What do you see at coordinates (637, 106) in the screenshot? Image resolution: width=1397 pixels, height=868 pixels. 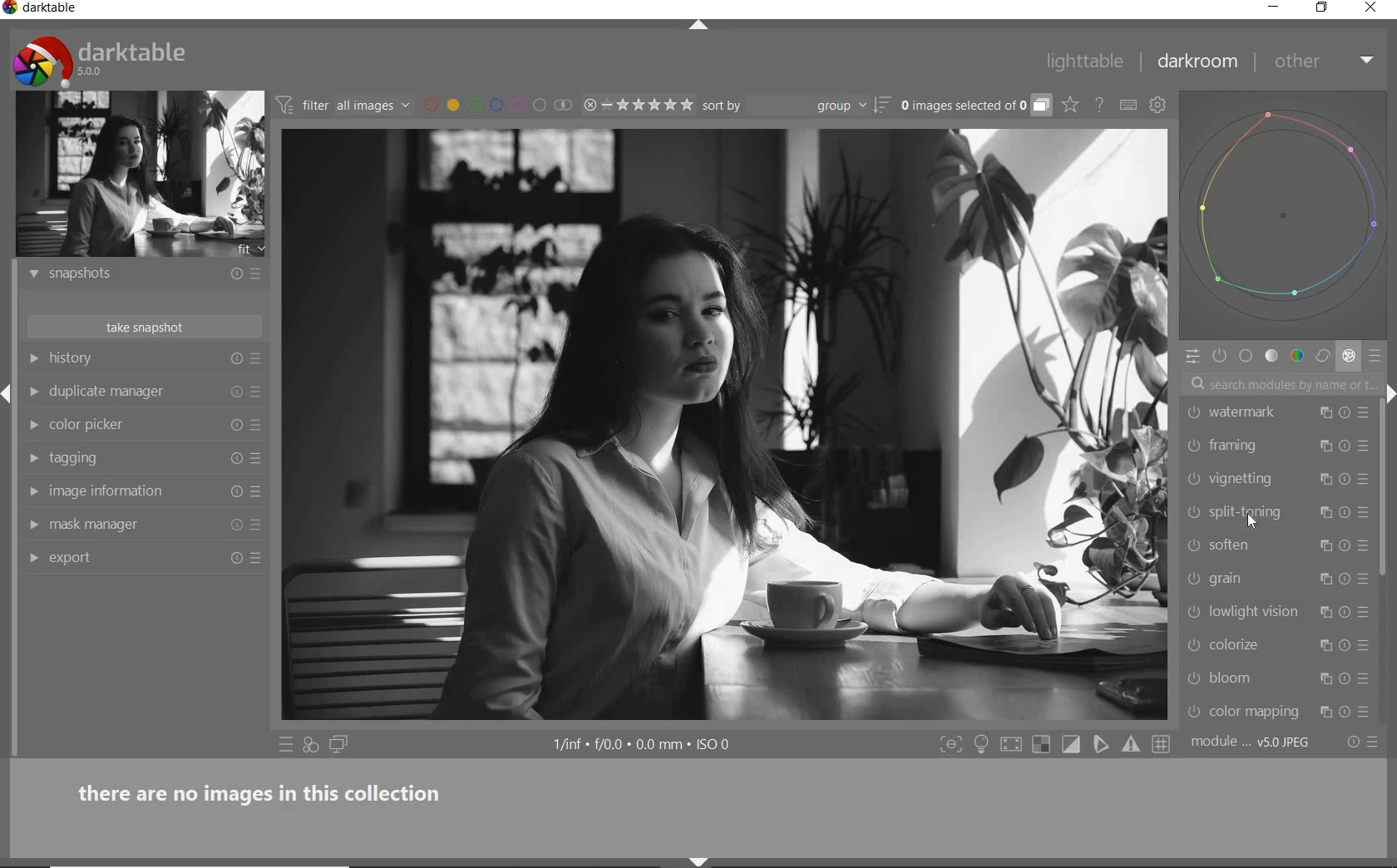 I see `range rating of selected image` at bounding box center [637, 106].